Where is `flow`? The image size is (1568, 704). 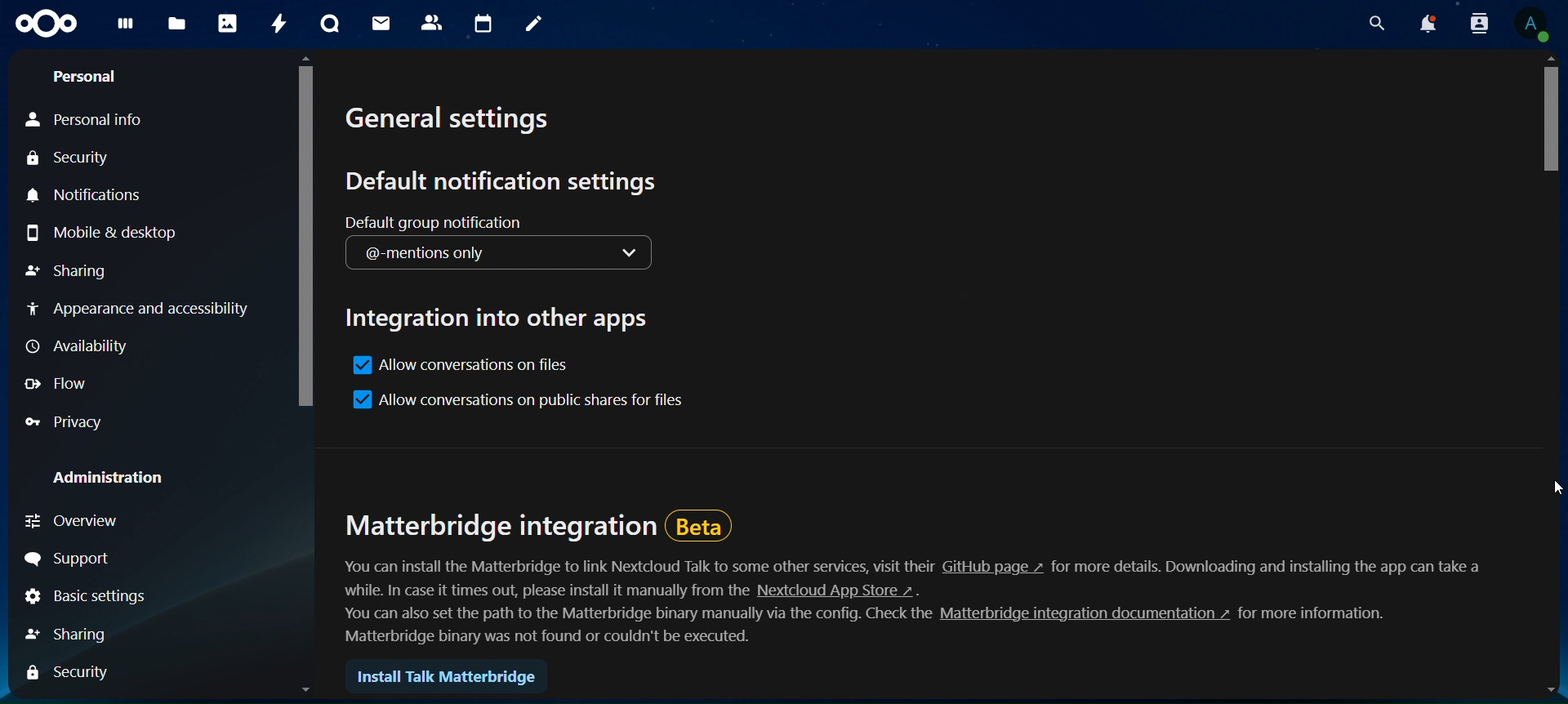 flow is located at coordinates (65, 382).